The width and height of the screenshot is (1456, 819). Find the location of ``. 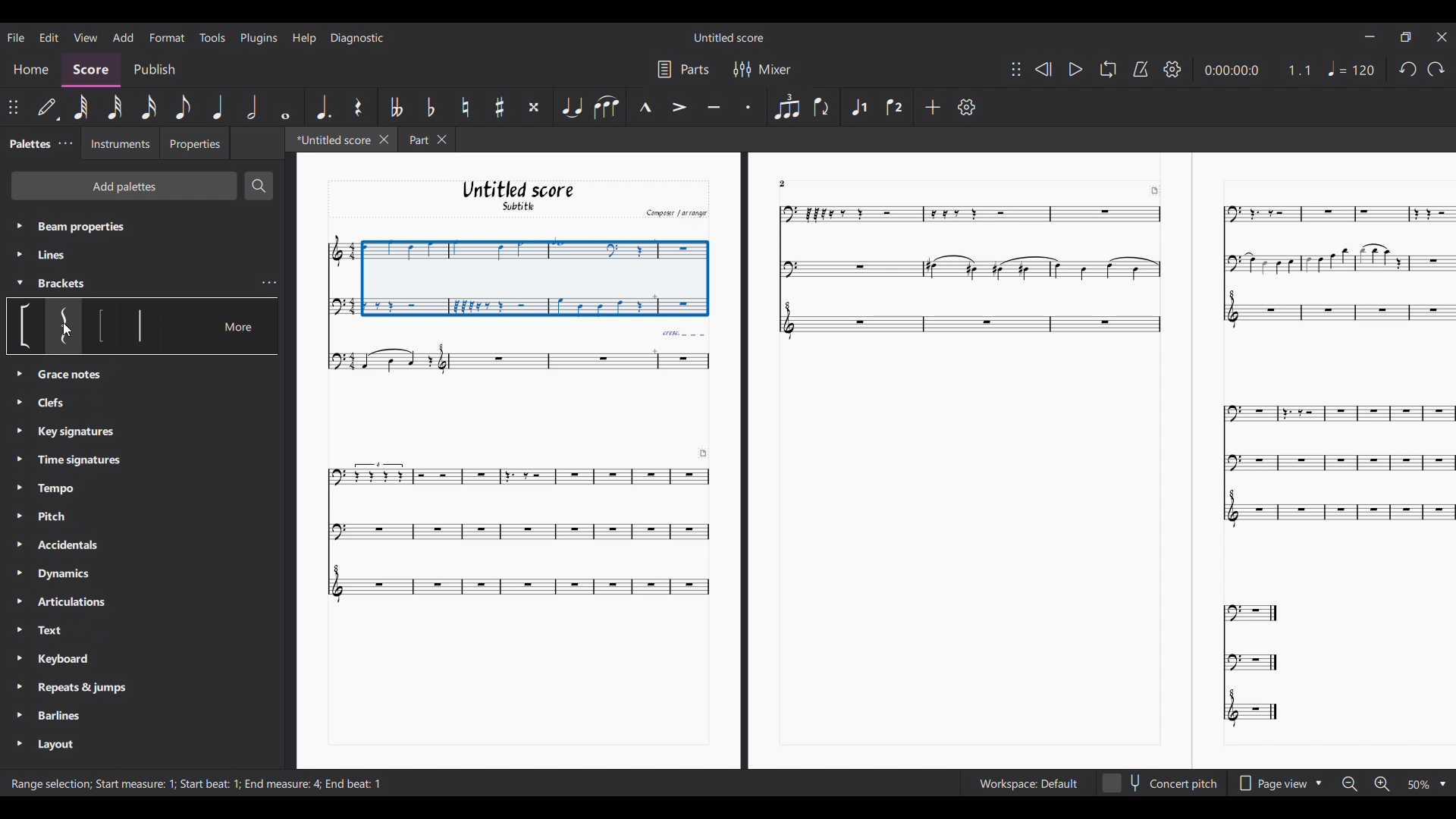

 is located at coordinates (18, 516).